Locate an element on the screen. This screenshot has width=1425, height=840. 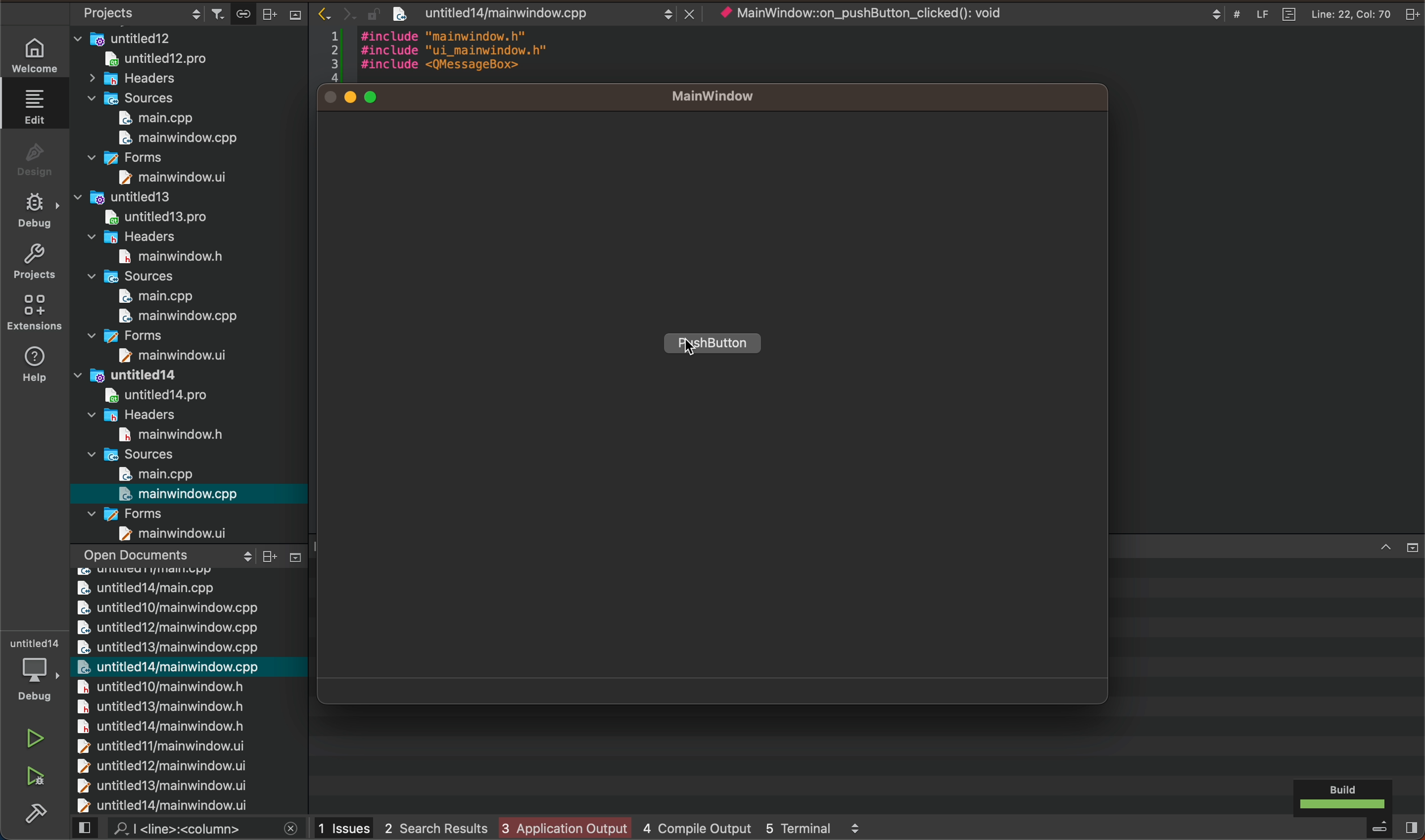
untitled13.pro is located at coordinates (153, 217).